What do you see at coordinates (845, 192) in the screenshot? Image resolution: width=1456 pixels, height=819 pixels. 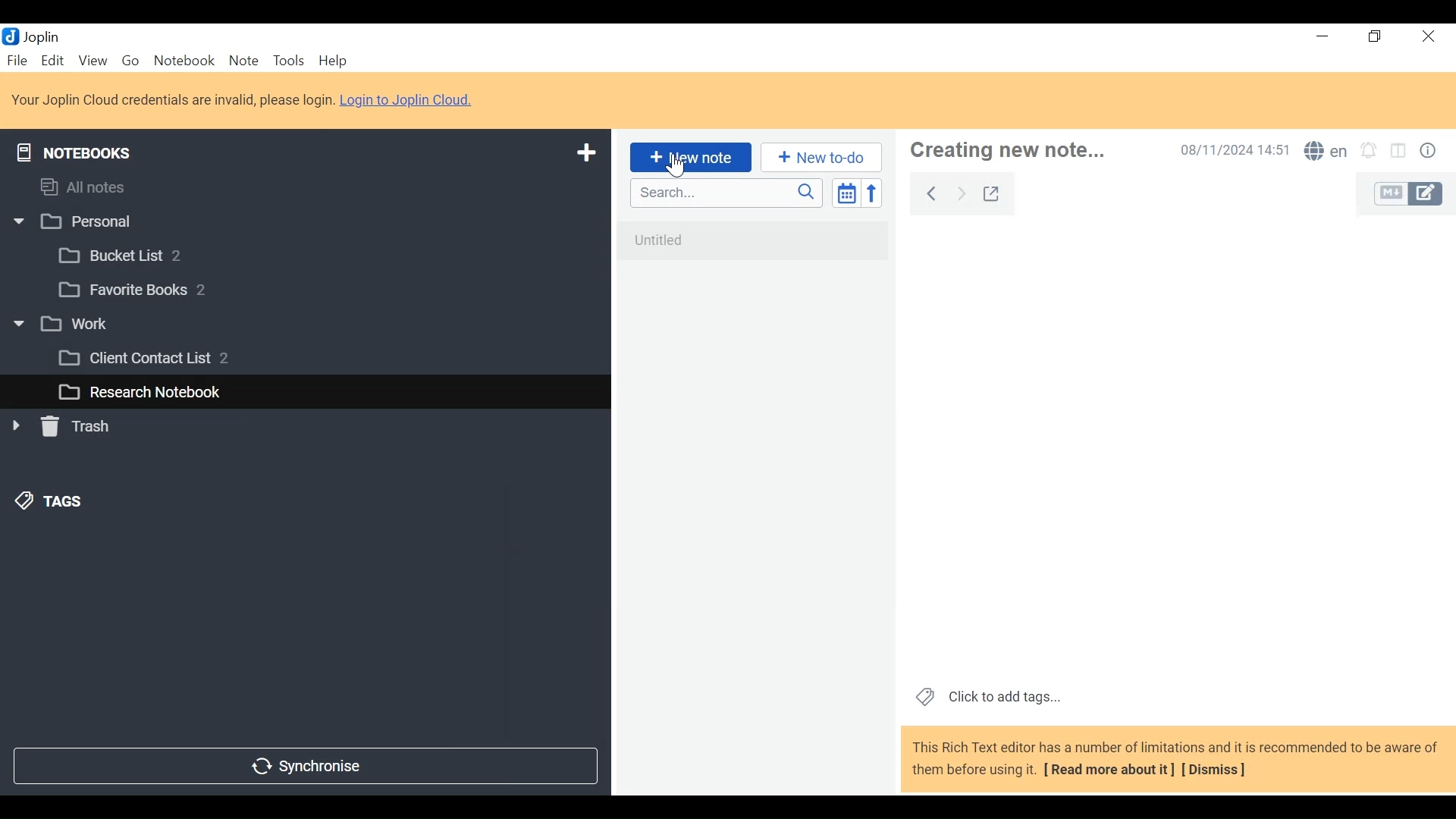 I see `Toggle sort order field` at bounding box center [845, 192].